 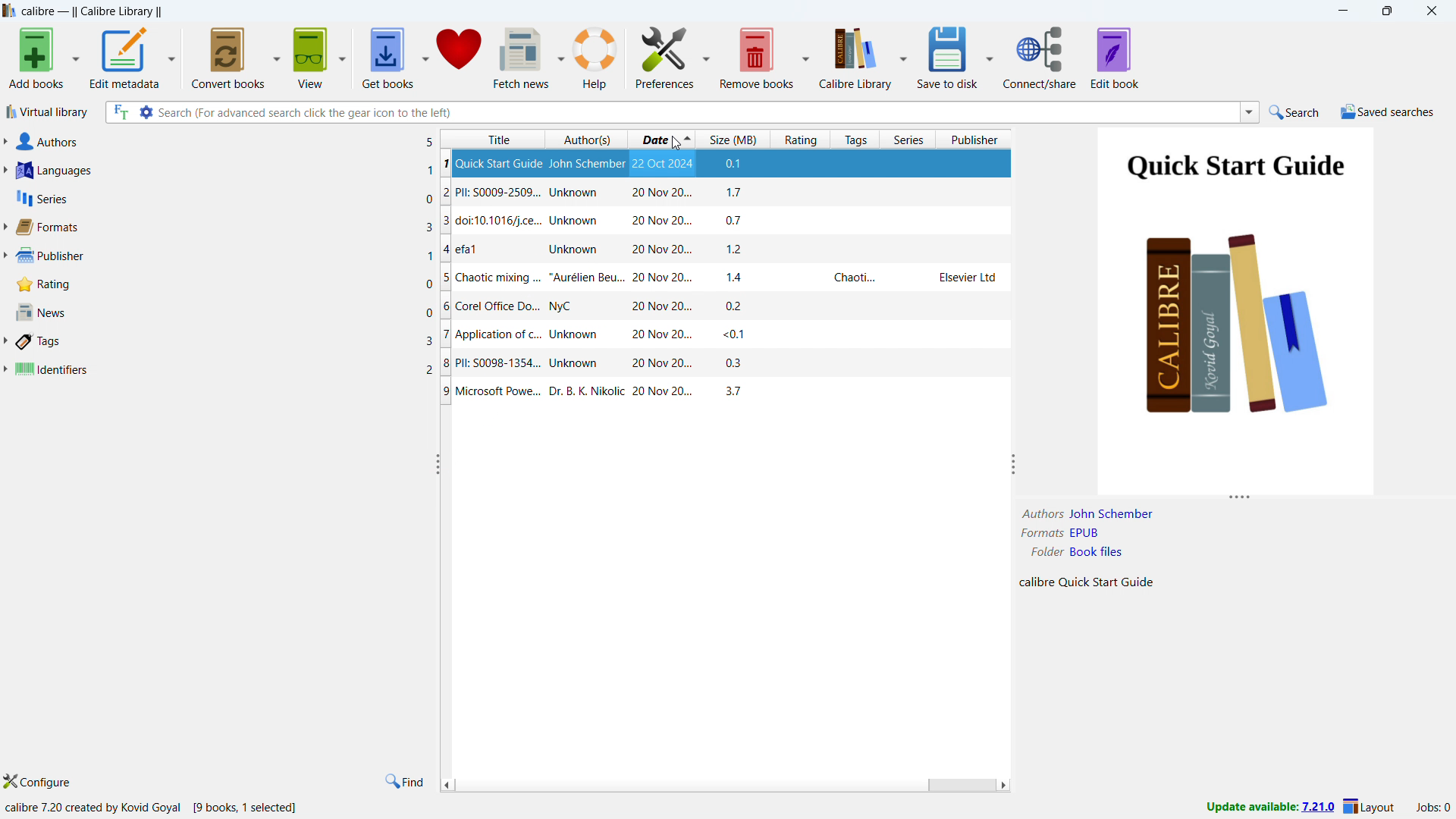 What do you see at coordinates (1292, 112) in the screenshot?
I see ` search` at bounding box center [1292, 112].